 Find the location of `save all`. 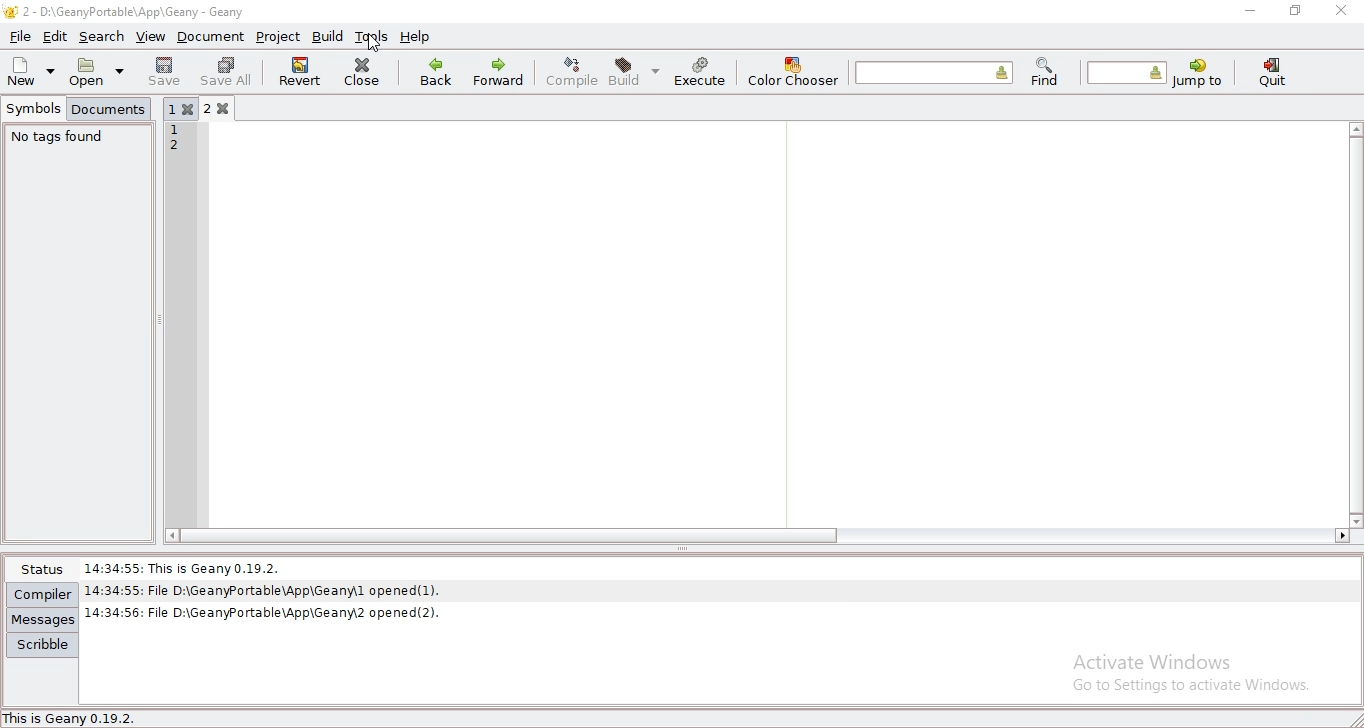

save all is located at coordinates (227, 71).